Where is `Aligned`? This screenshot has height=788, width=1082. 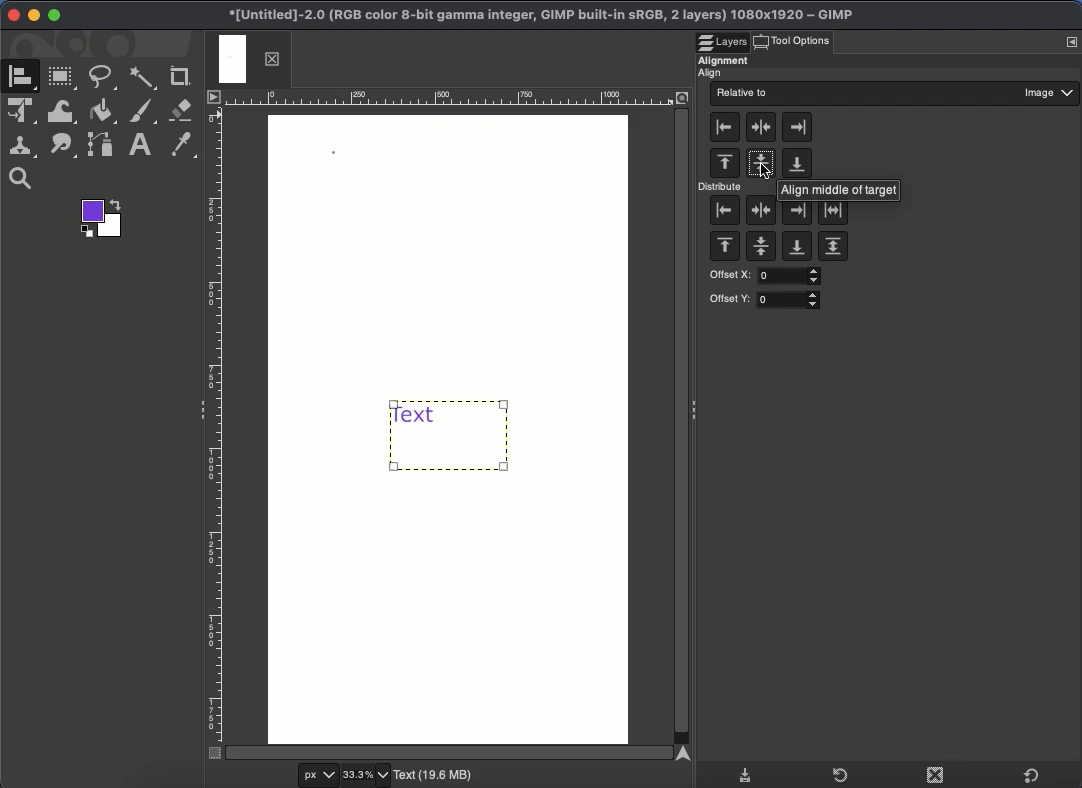
Aligned is located at coordinates (448, 436).